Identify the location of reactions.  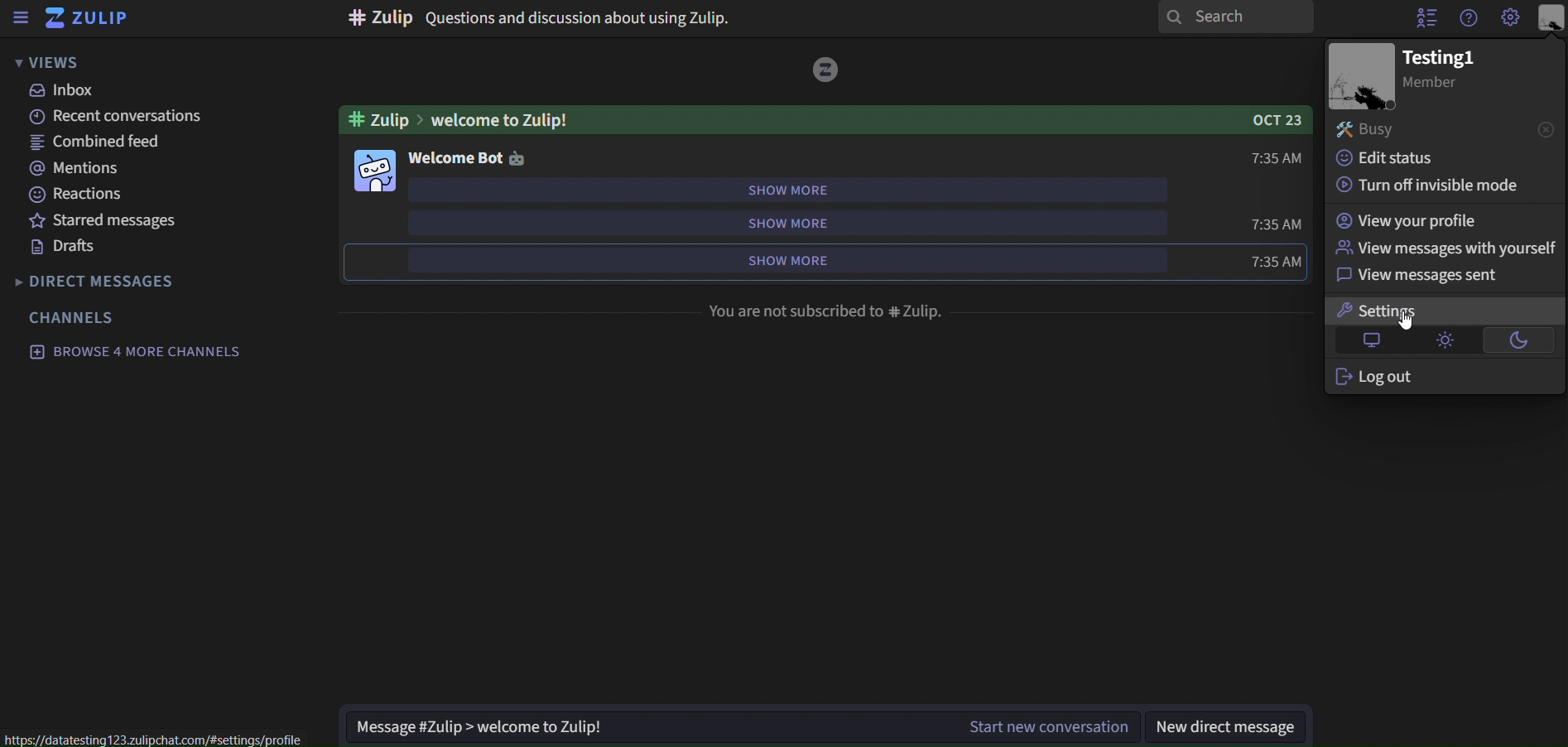
(84, 195).